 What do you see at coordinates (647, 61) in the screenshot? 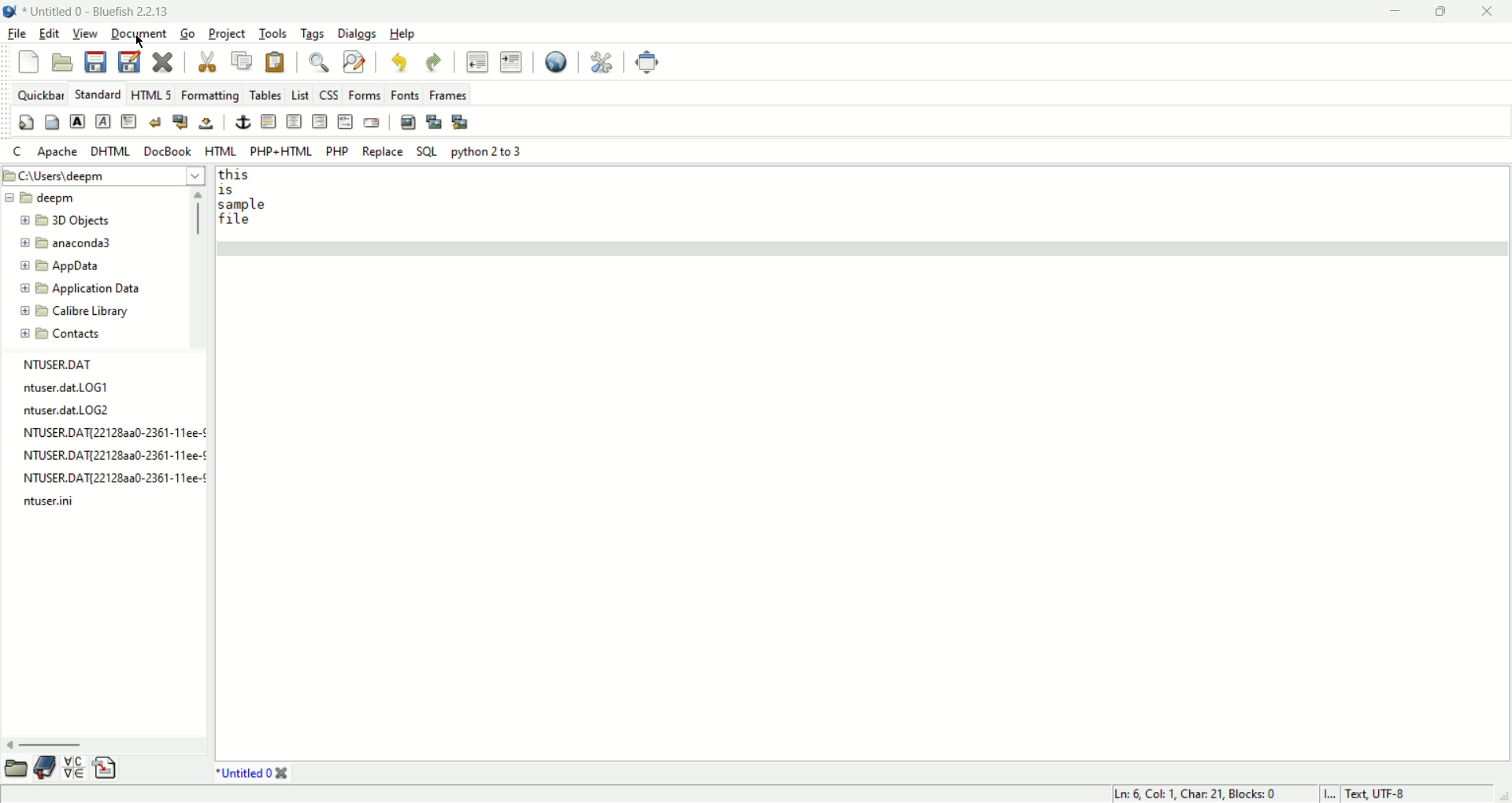
I see `fullscreen` at bounding box center [647, 61].